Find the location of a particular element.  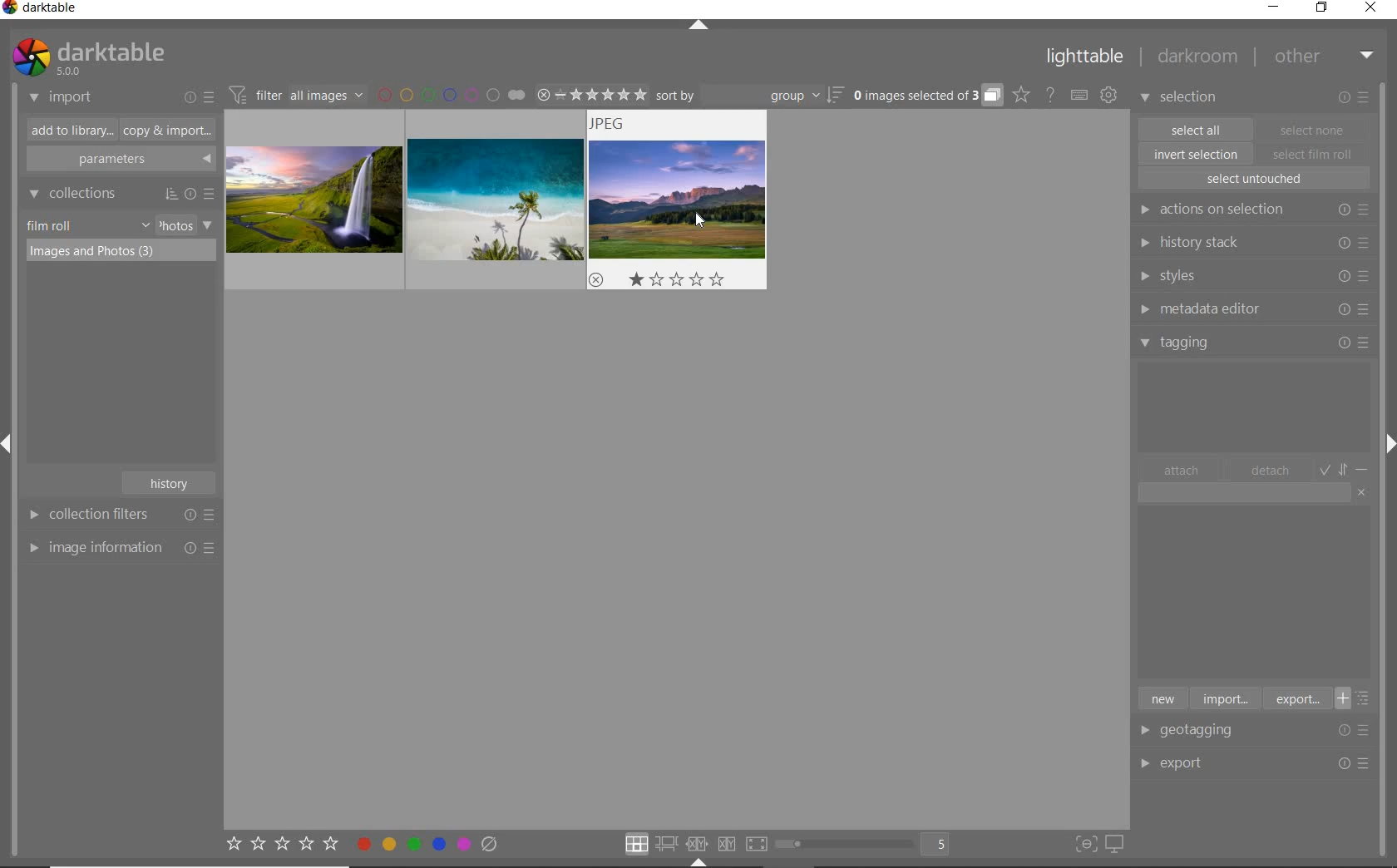

lighttable is located at coordinates (1085, 60).